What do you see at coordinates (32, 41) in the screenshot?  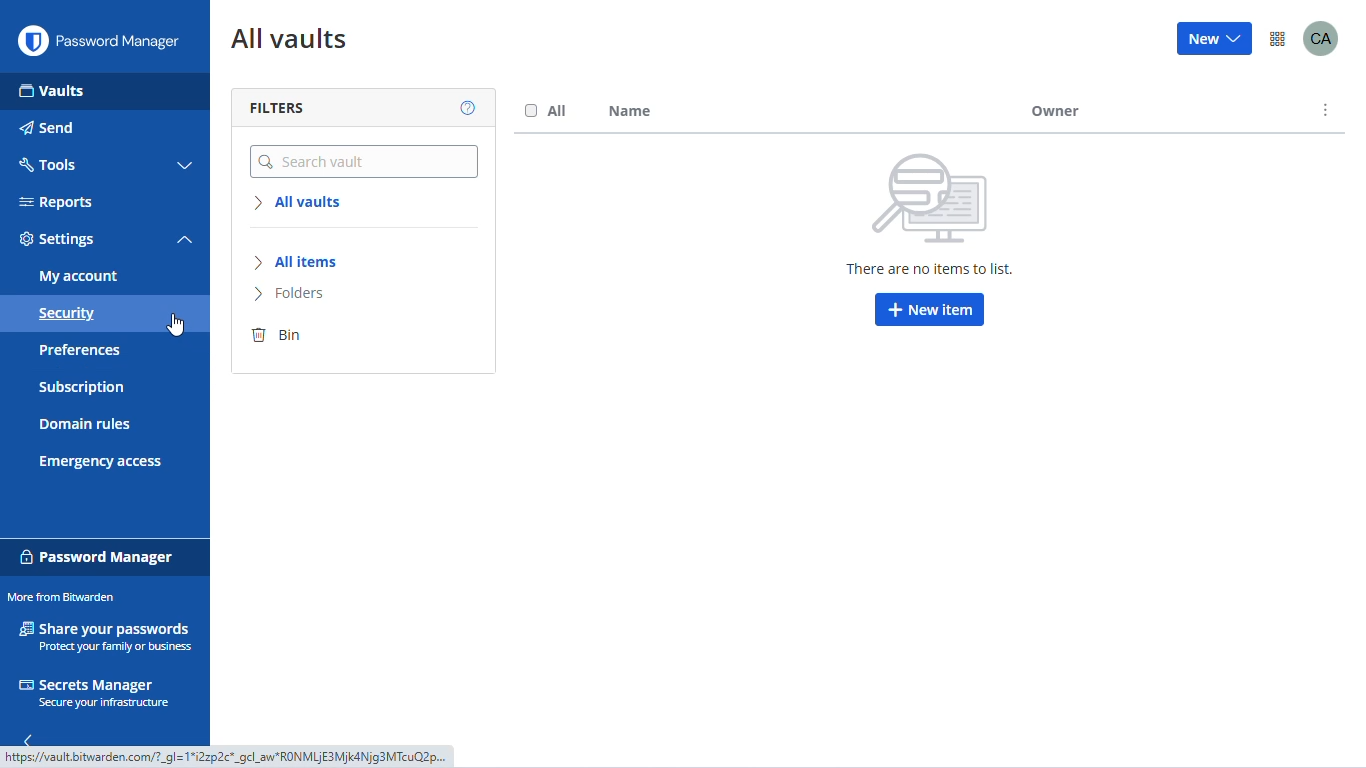 I see `logo` at bounding box center [32, 41].